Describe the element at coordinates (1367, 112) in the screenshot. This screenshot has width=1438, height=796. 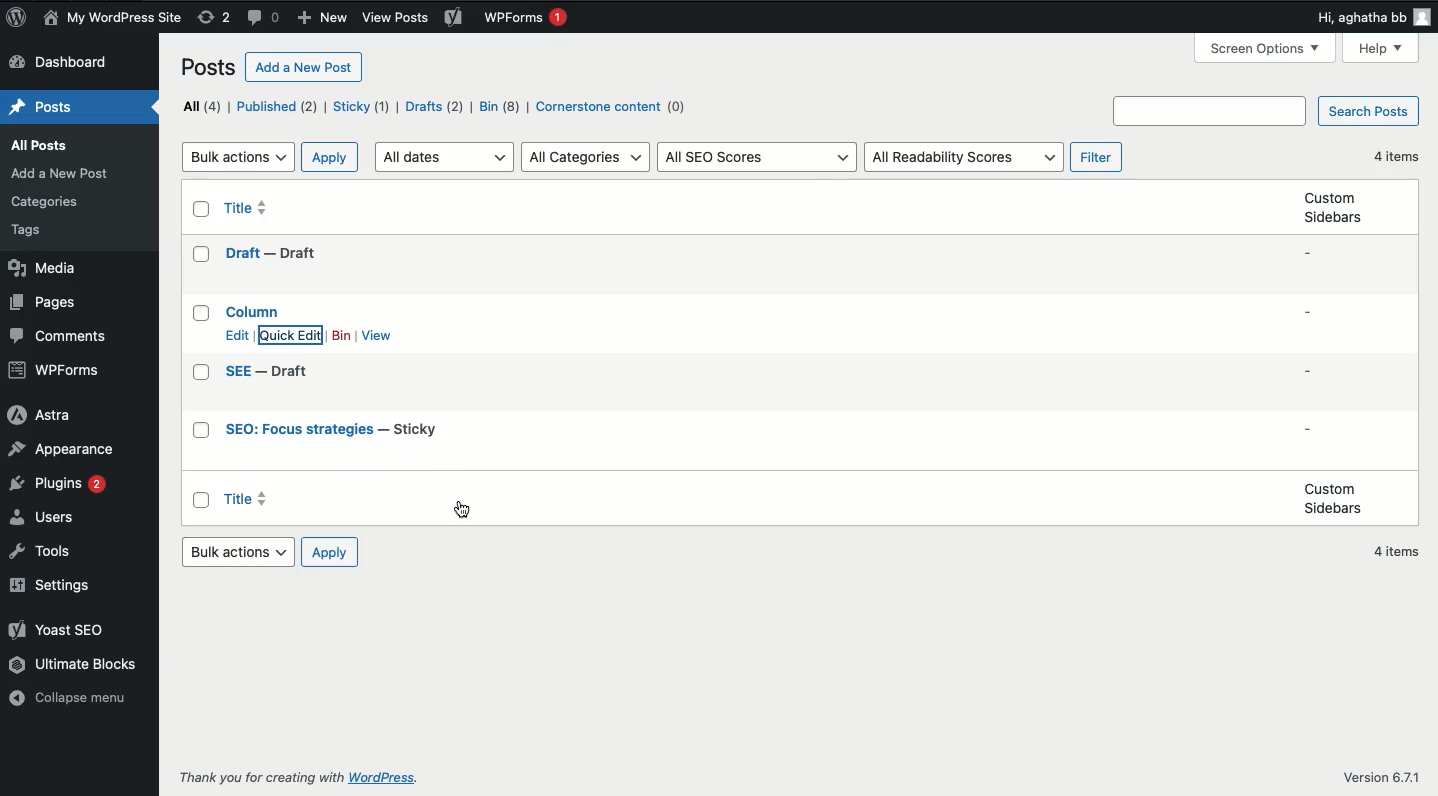
I see `Search posts` at that location.